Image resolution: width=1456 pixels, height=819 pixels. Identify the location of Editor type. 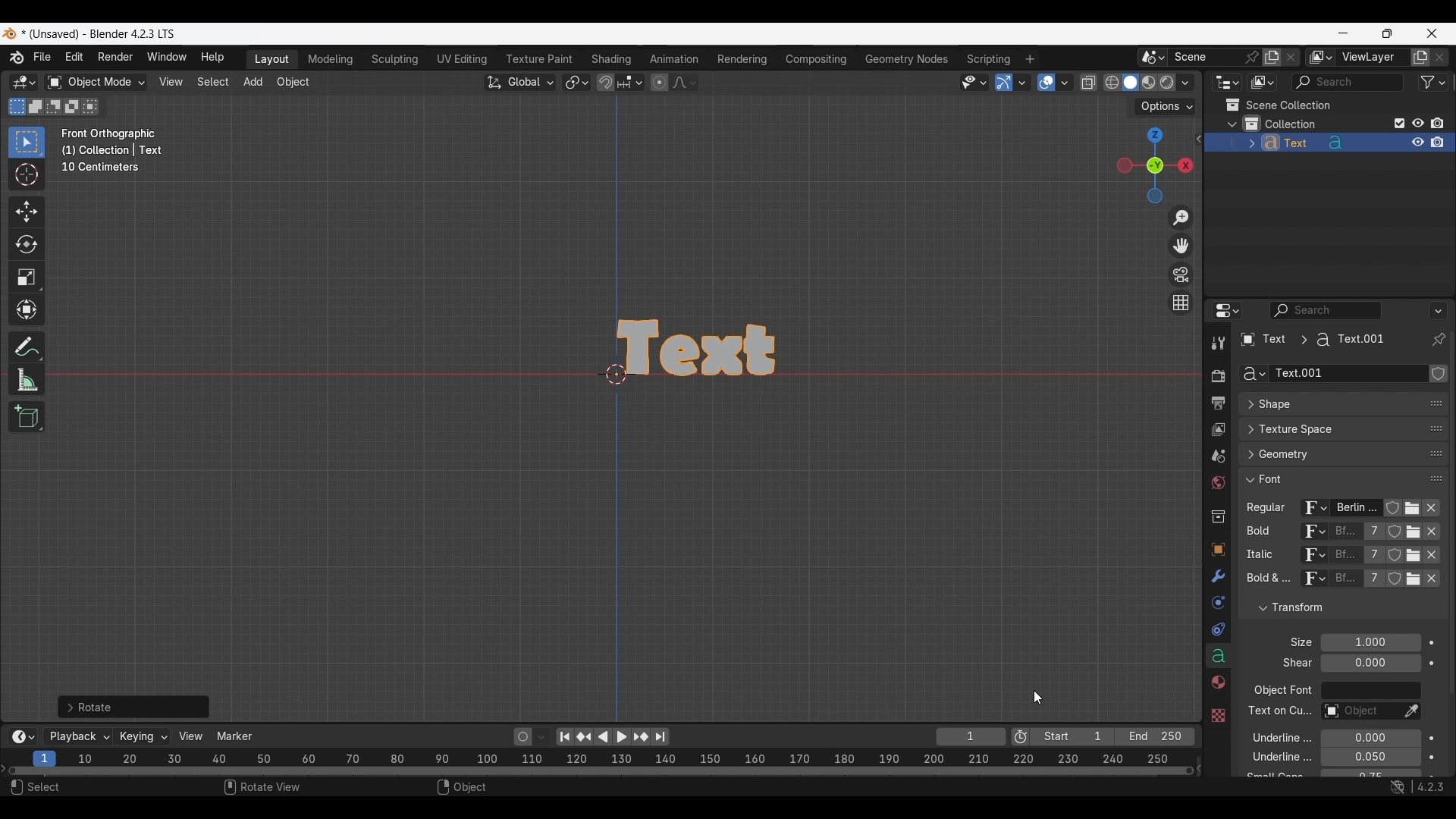
(1227, 310).